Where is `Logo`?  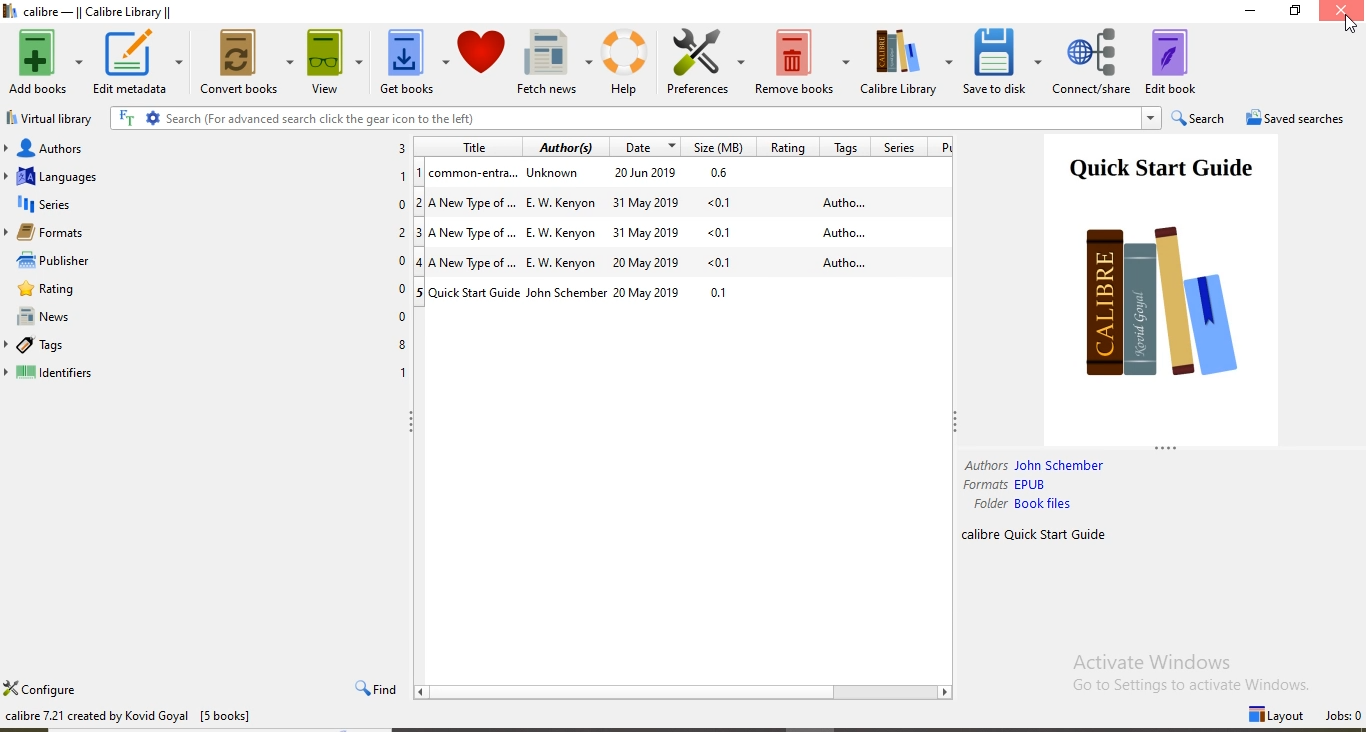 Logo is located at coordinates (11, 11).